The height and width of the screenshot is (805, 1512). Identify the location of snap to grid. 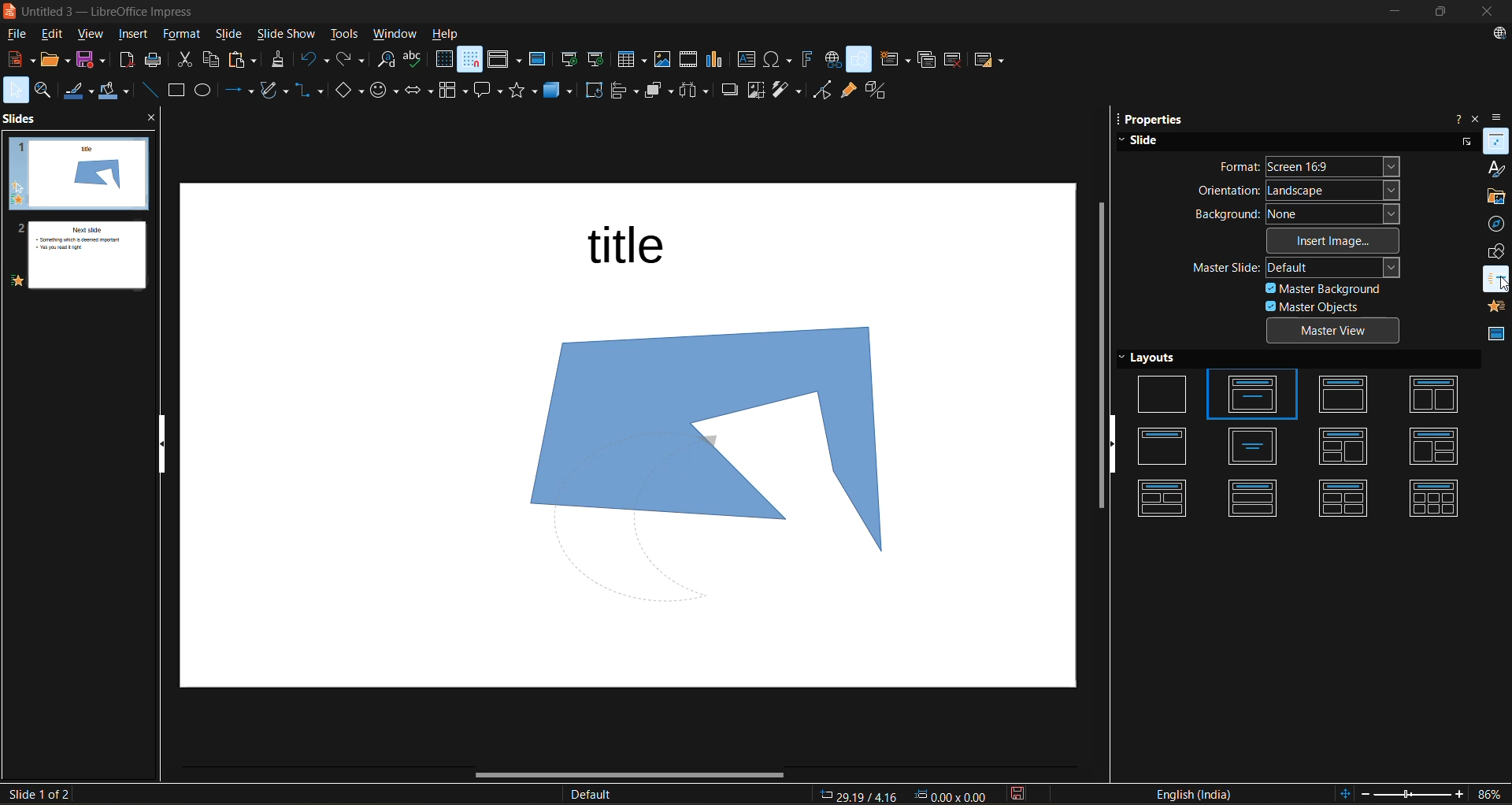
(471, 61).